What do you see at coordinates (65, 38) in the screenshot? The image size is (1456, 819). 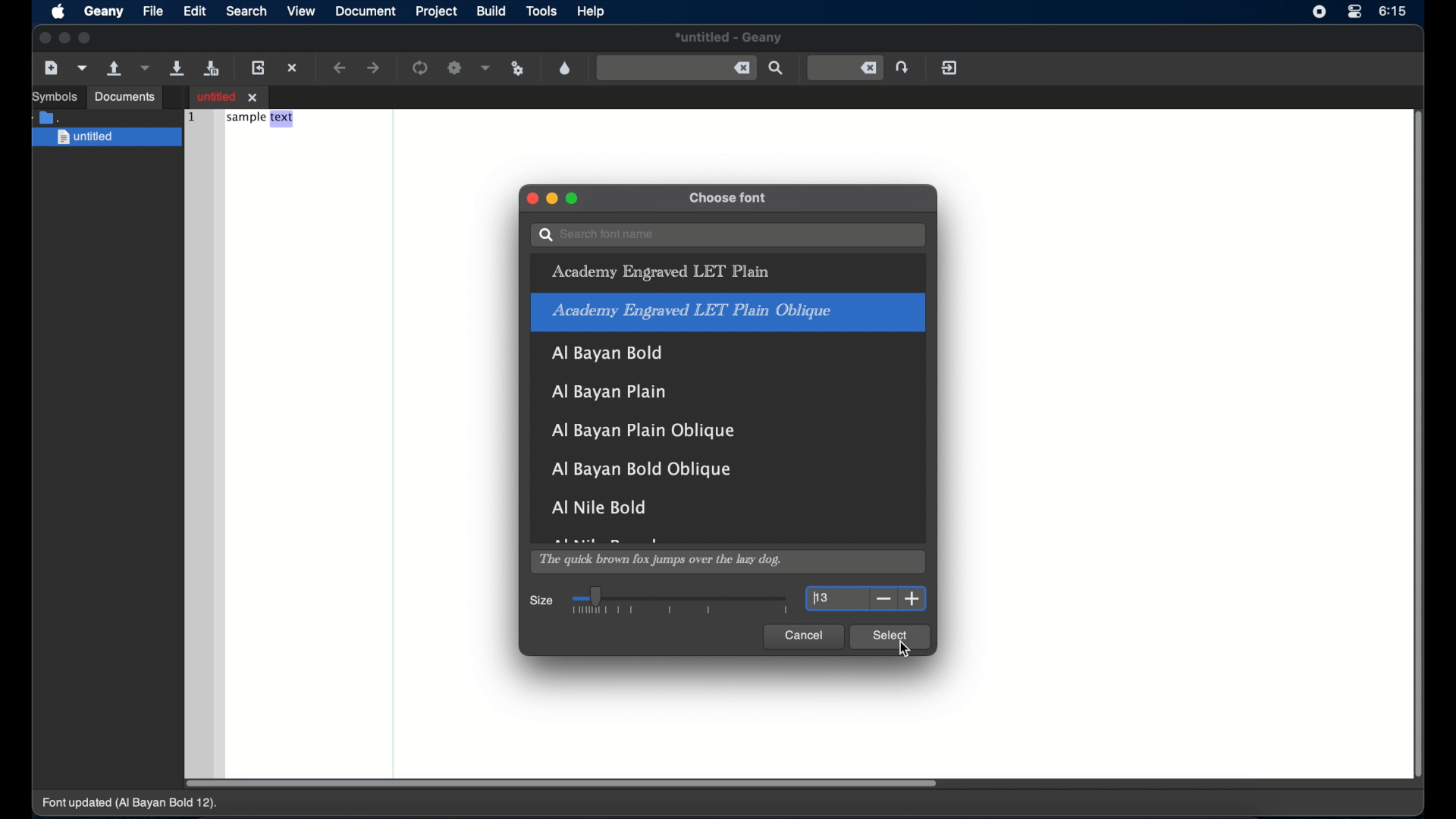 I see `minimize` at bounding box center [65, 38].